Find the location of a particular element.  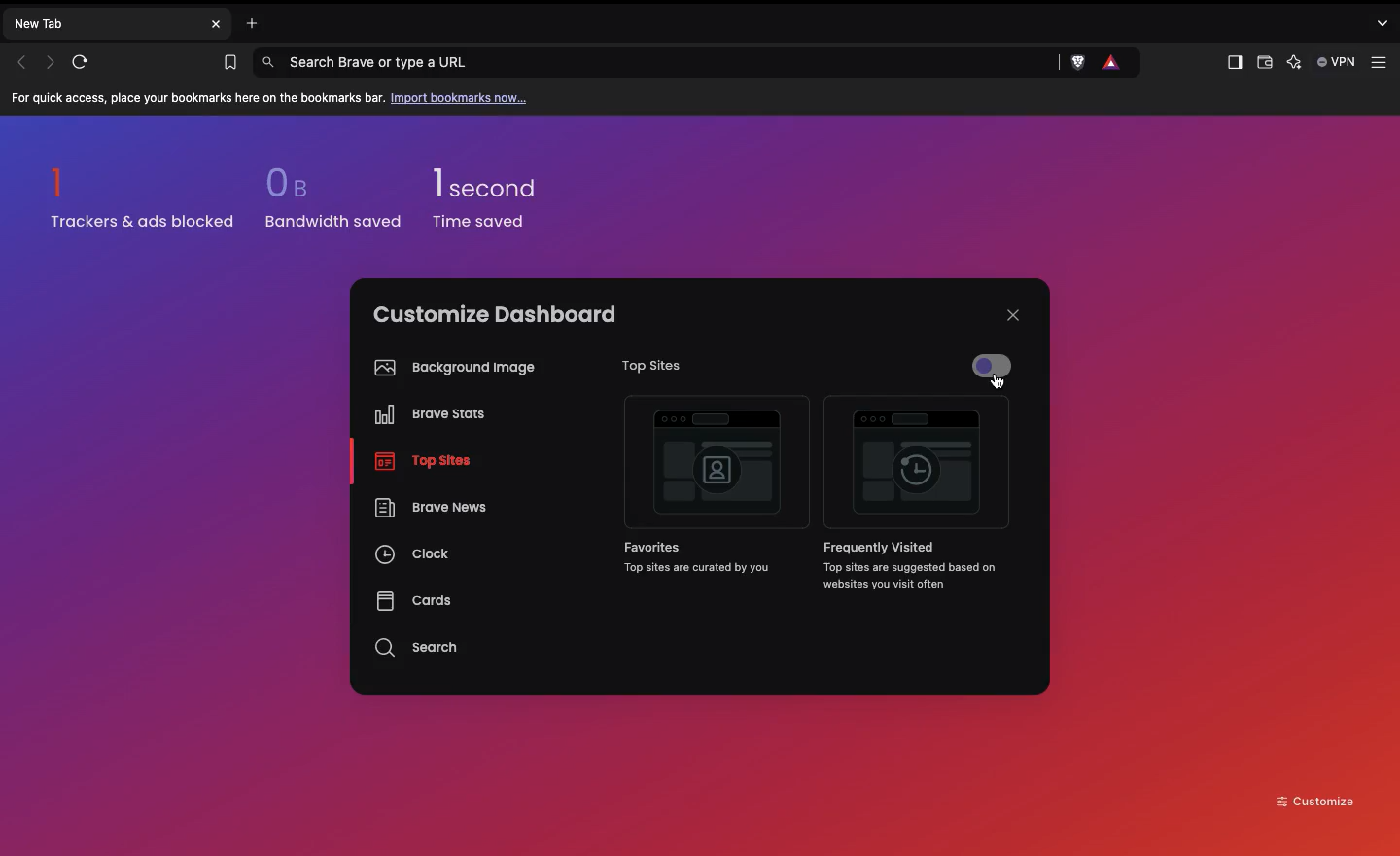

Sidebar is located at coordinates (1233, 63).